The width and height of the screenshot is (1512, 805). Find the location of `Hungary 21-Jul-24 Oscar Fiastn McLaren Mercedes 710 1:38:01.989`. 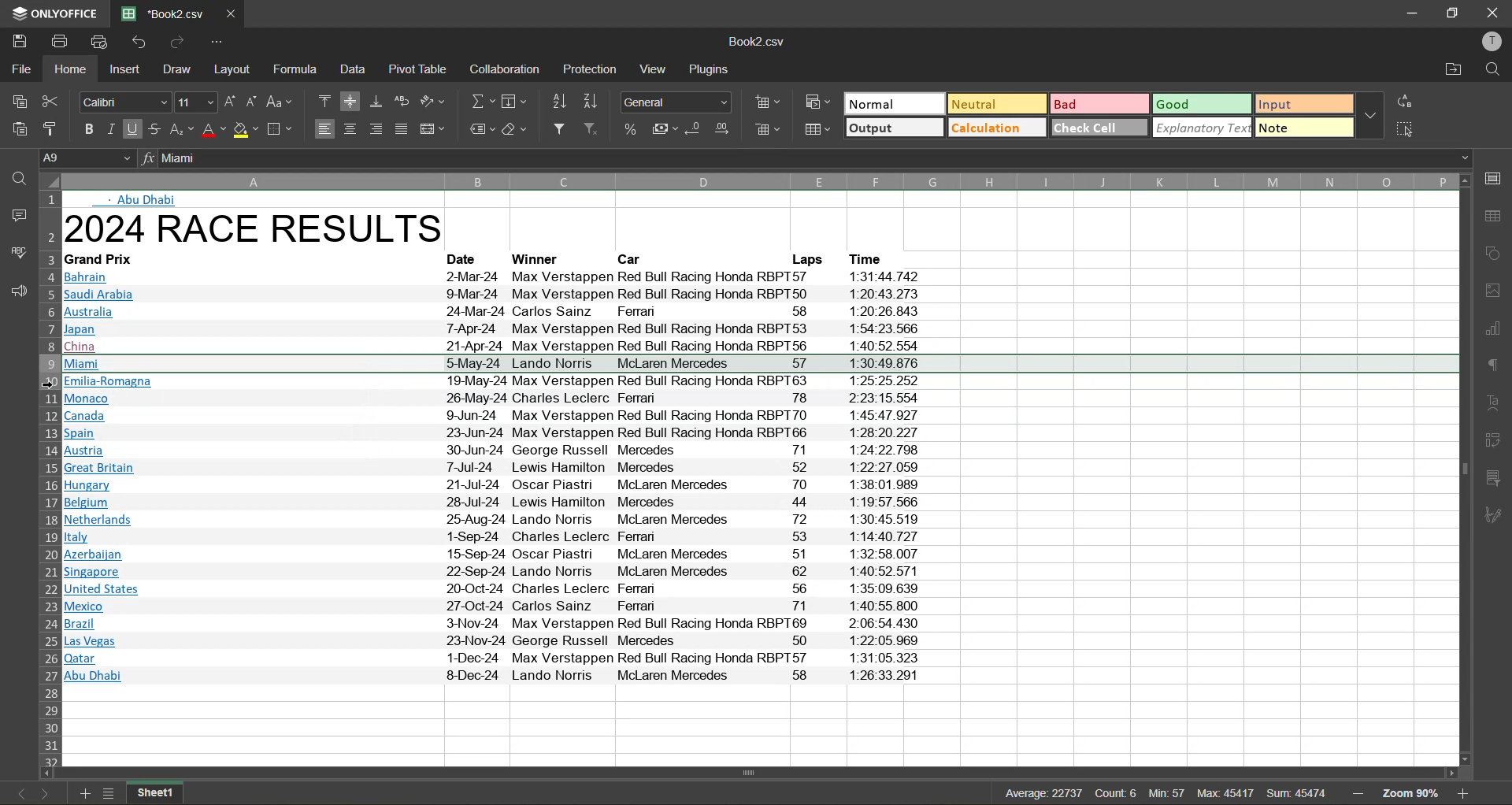

Hungary 21-Jul-24 Oscar Fiastn McLaren Mercedes 710 1:38:01.989 is located at coordinates (492, 486).